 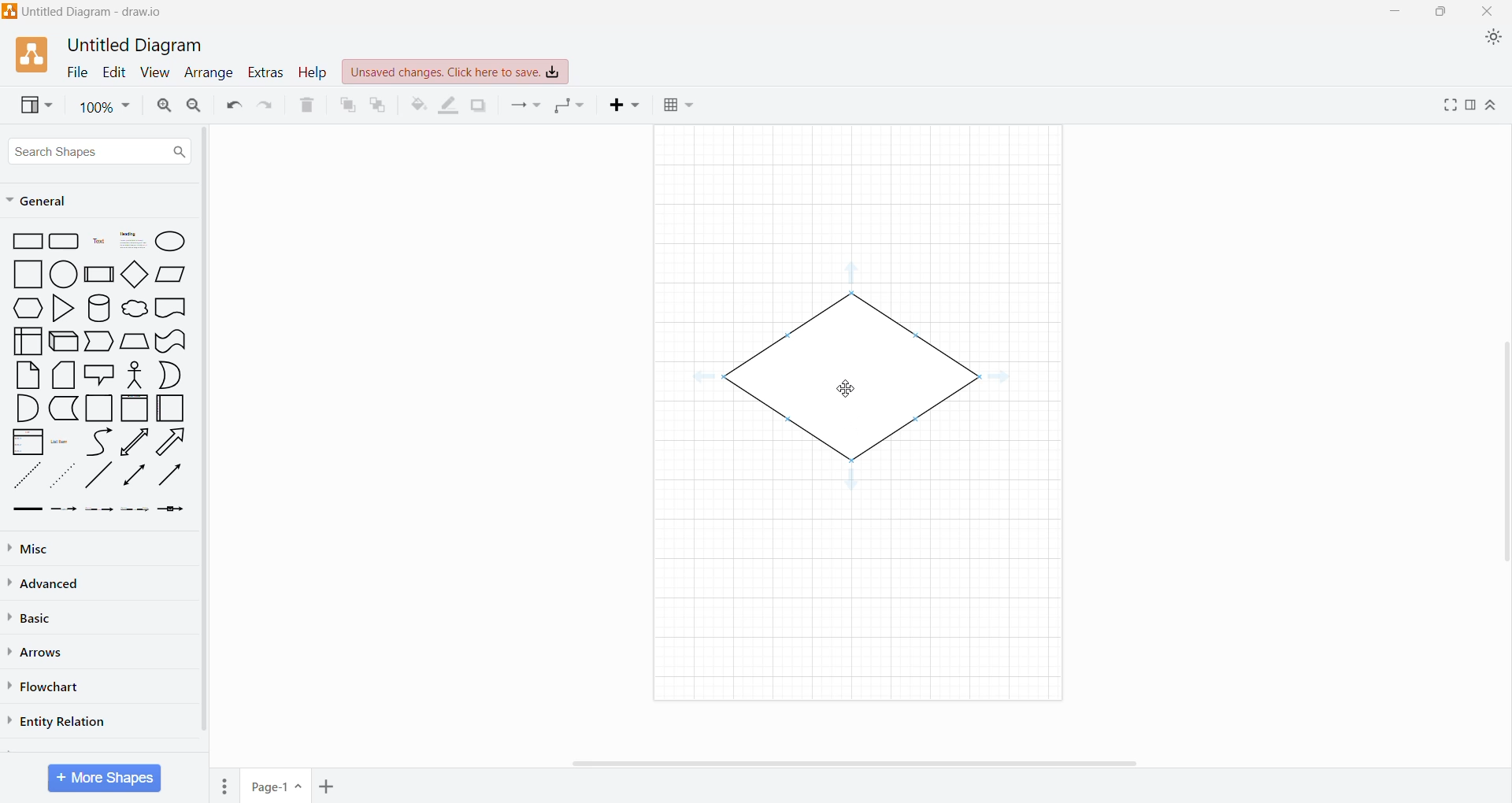 I want to click on Cursor on shape, so click(x=854, y=383).